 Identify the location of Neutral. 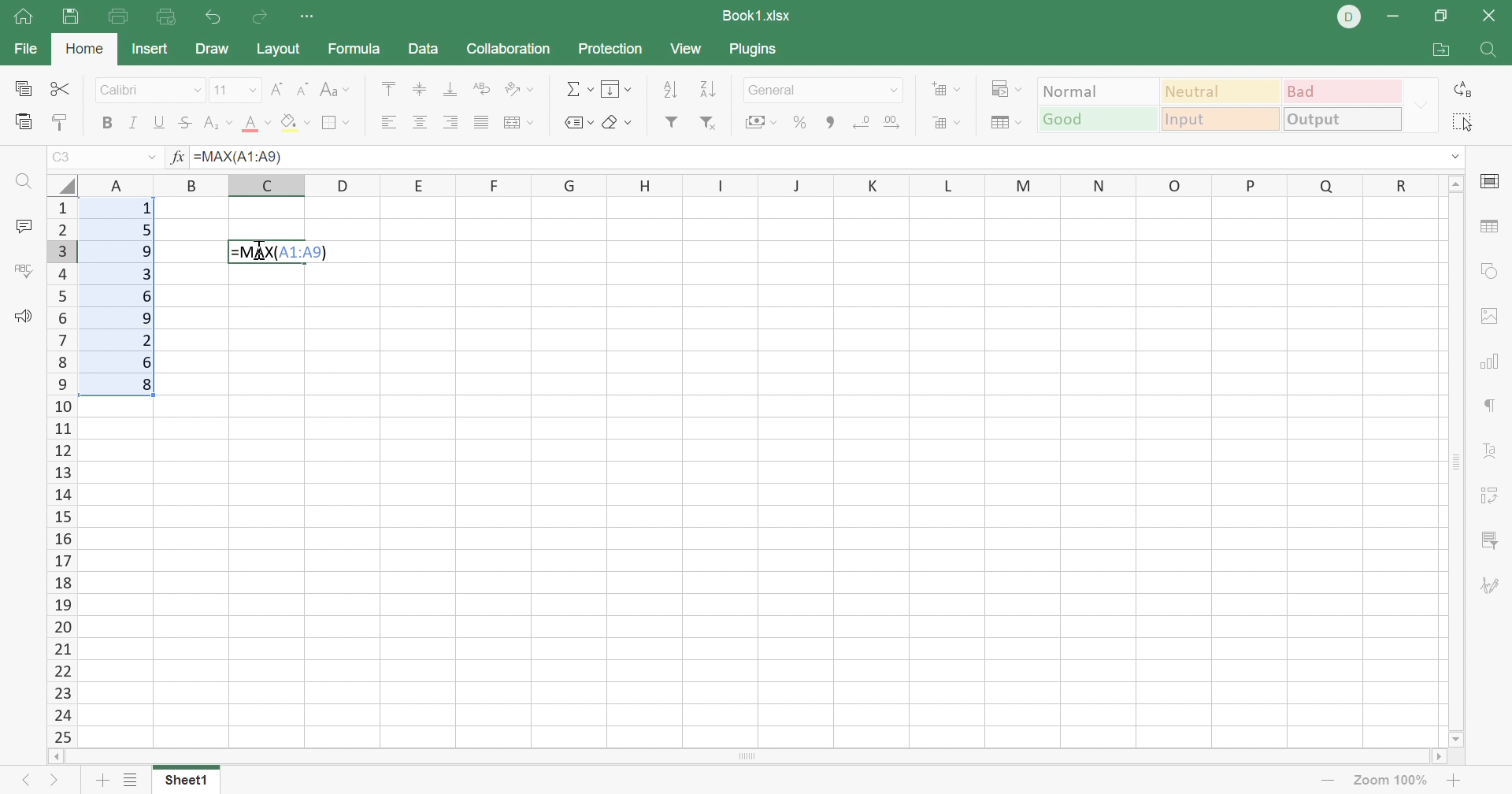
(1221, 91).